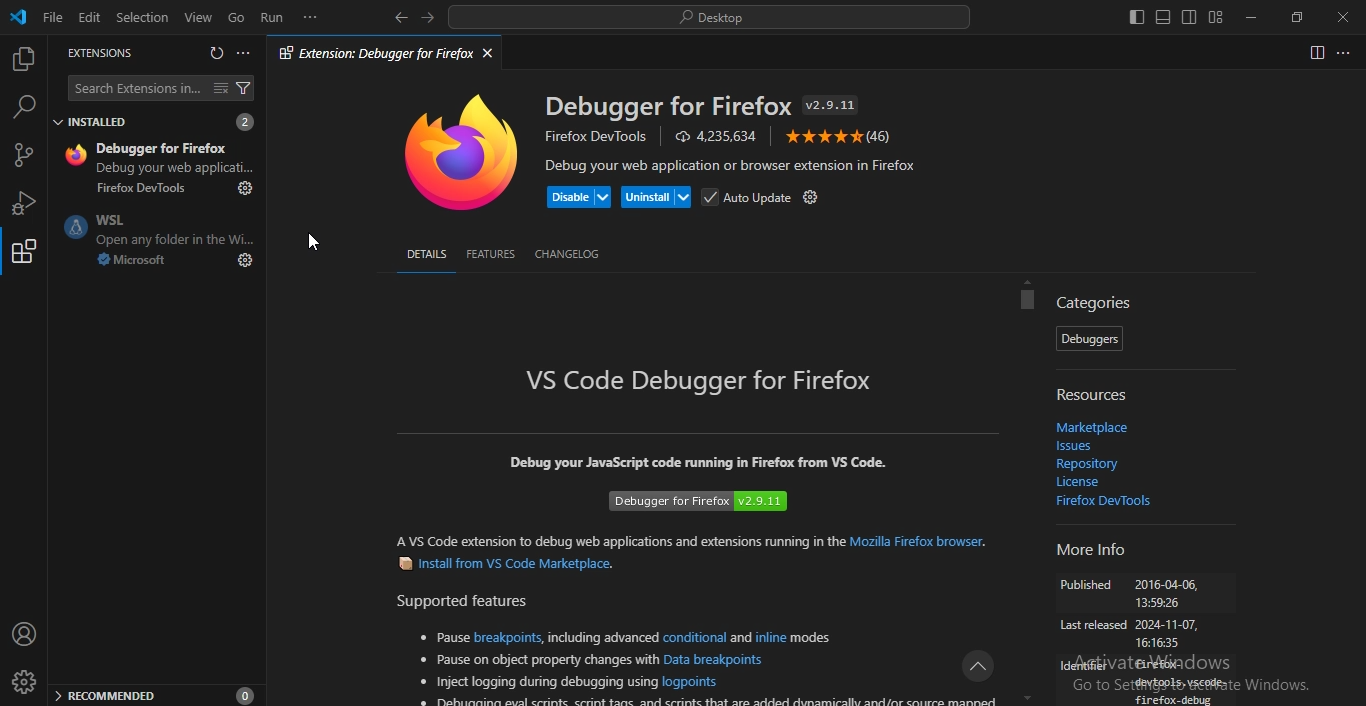 The image size is (1366, 706). Describe the element at coordinates (1294, 19) in the screenshot. I see `restore window` at that location.